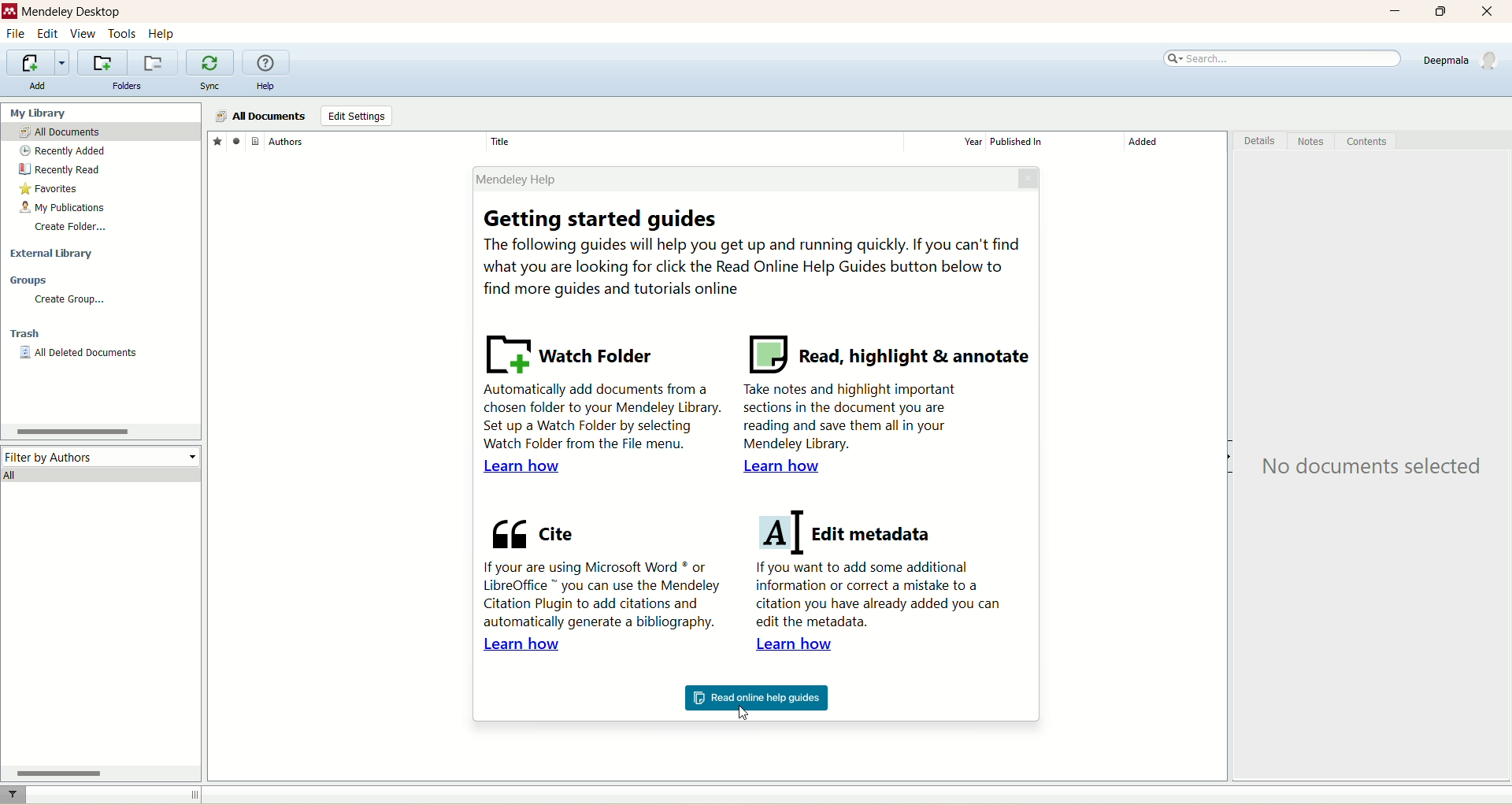 This screenshot has width=1512, height=805. What do you see at coordinates (49, 189) in the screenshot?
I see `favorites` at bounding box center [49, 189].